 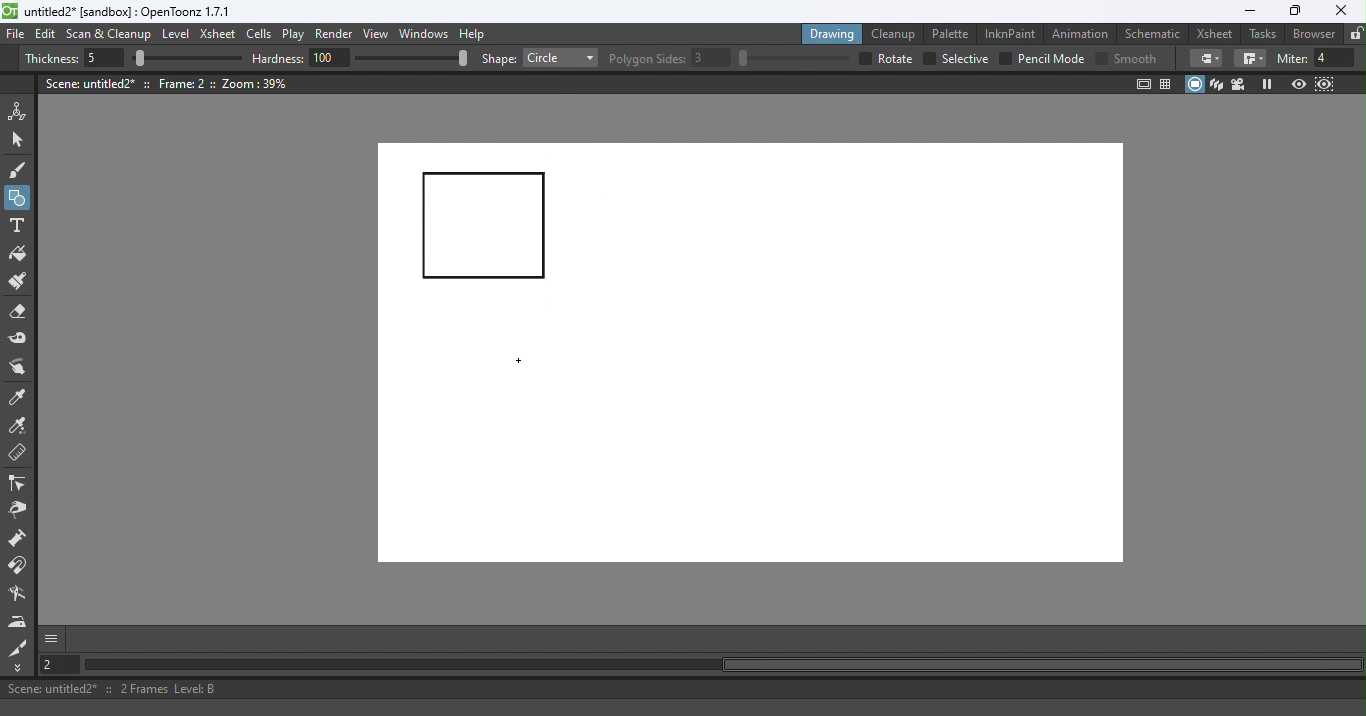 What do you see at coordinates (1291, 58) in the screenshot?
I see `miter` at bounding box center [1291, 58].